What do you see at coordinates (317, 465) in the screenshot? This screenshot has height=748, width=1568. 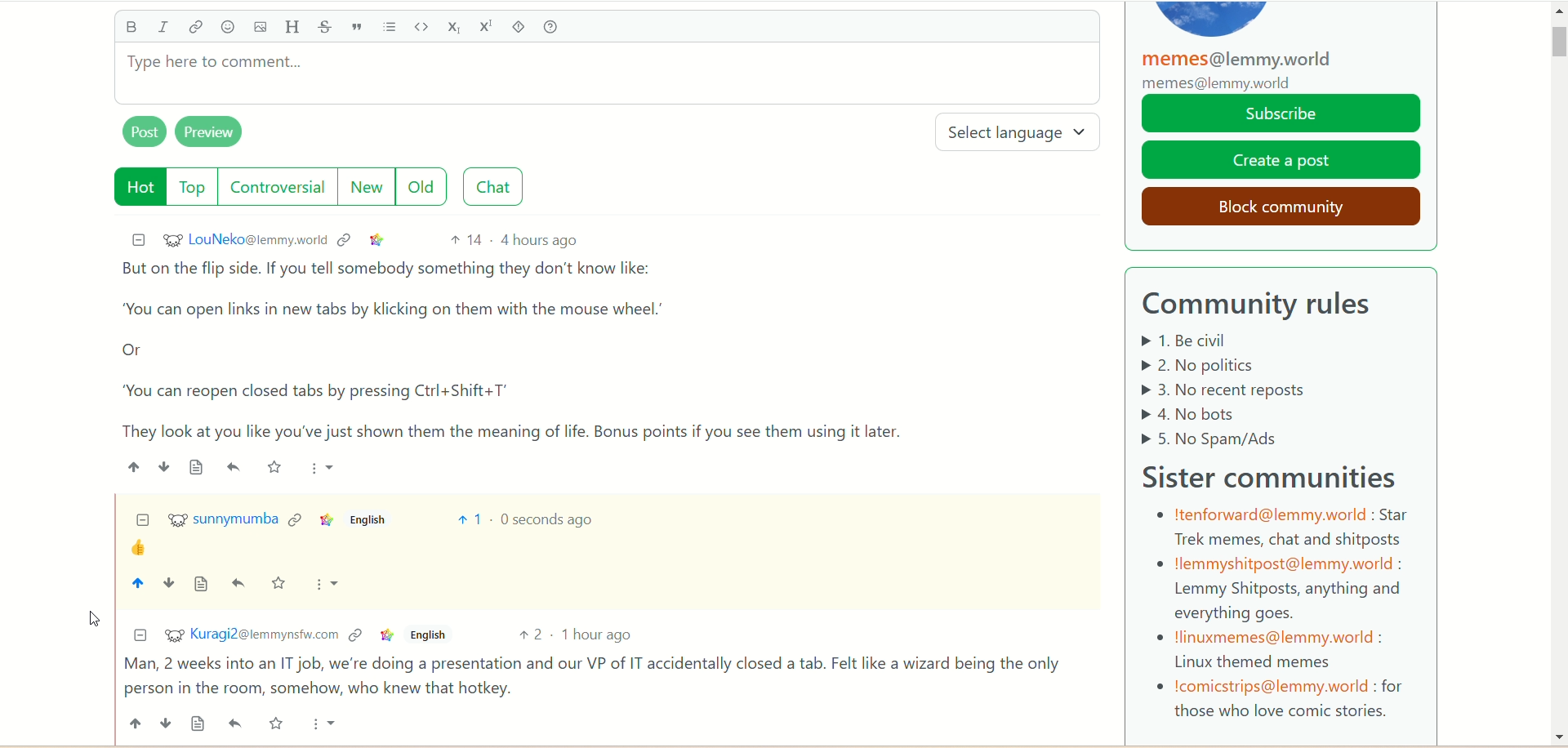 I see `more` at bounding box center [317, 465].